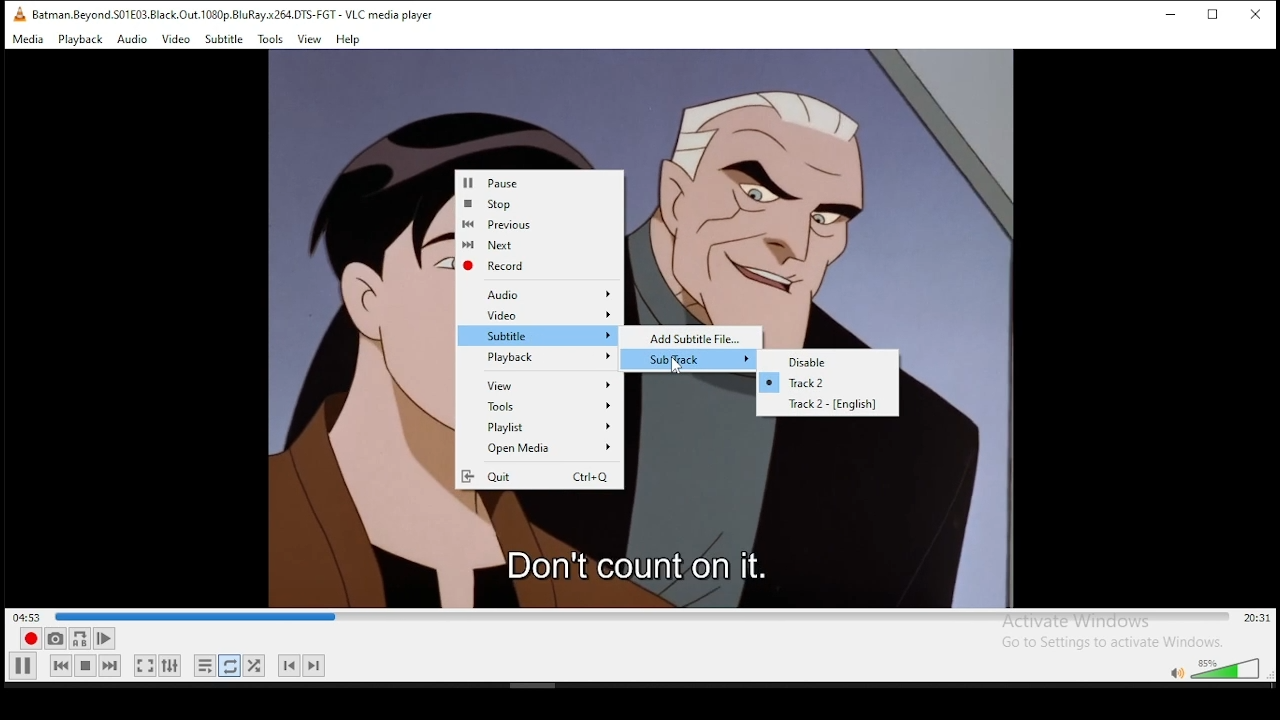 This screenshot has width=1280, height=720. I want to click on cursor, so click(678, 366).